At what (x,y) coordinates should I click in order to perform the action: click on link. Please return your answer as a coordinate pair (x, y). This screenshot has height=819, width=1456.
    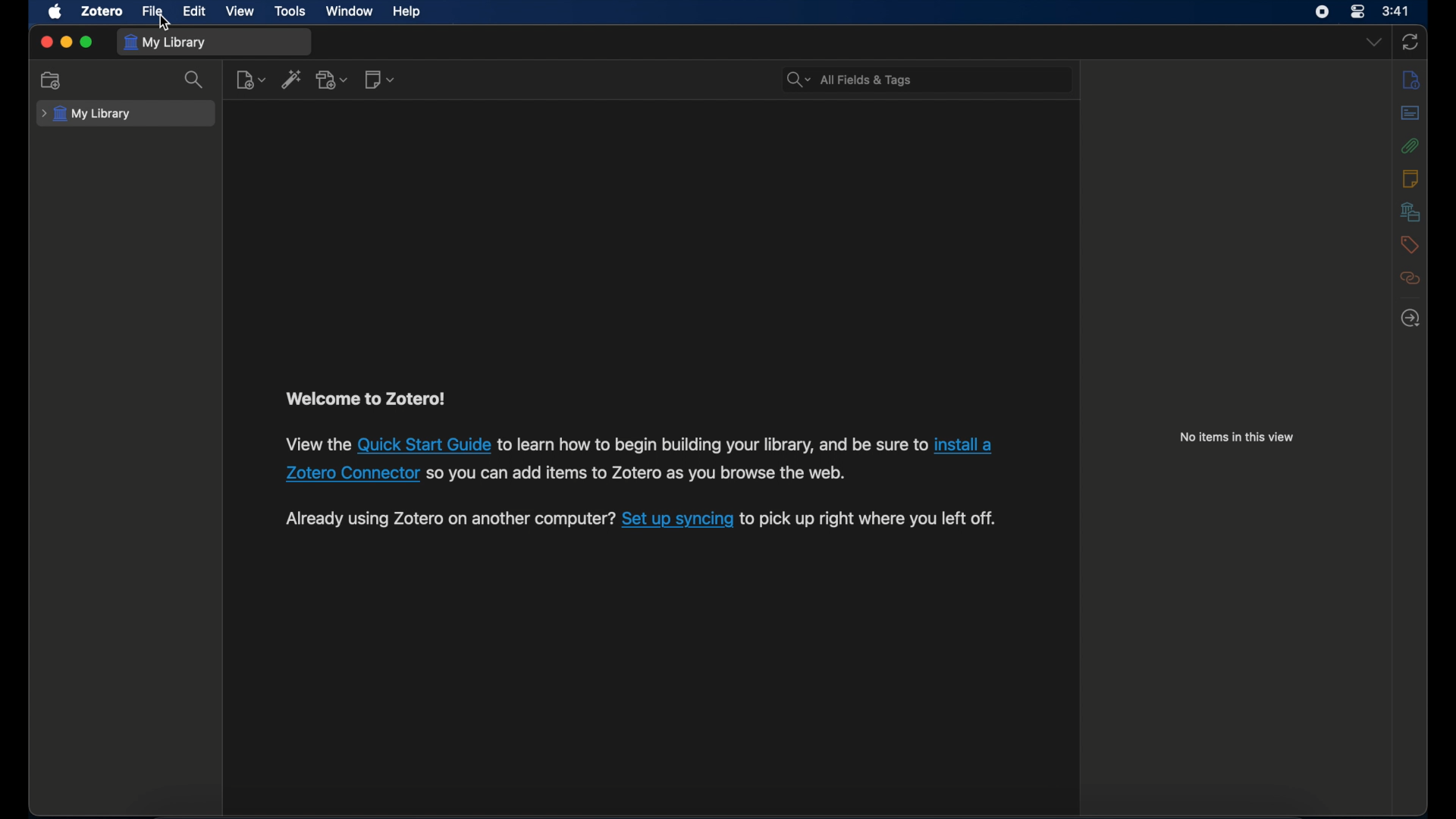
    Looking at the image, I should click on (353, 473).